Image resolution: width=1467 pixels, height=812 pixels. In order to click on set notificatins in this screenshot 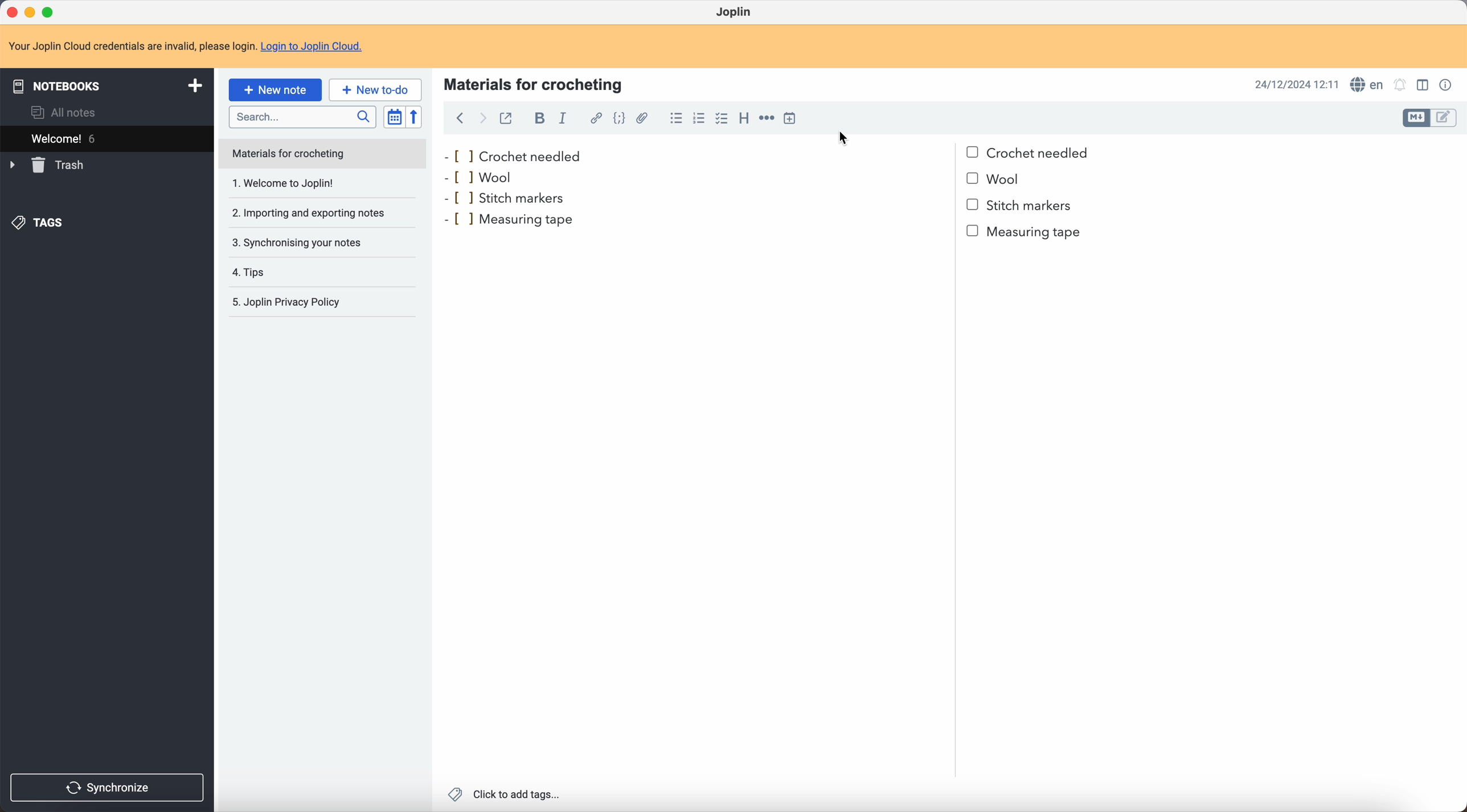, I will do `click(1400, 86)`.